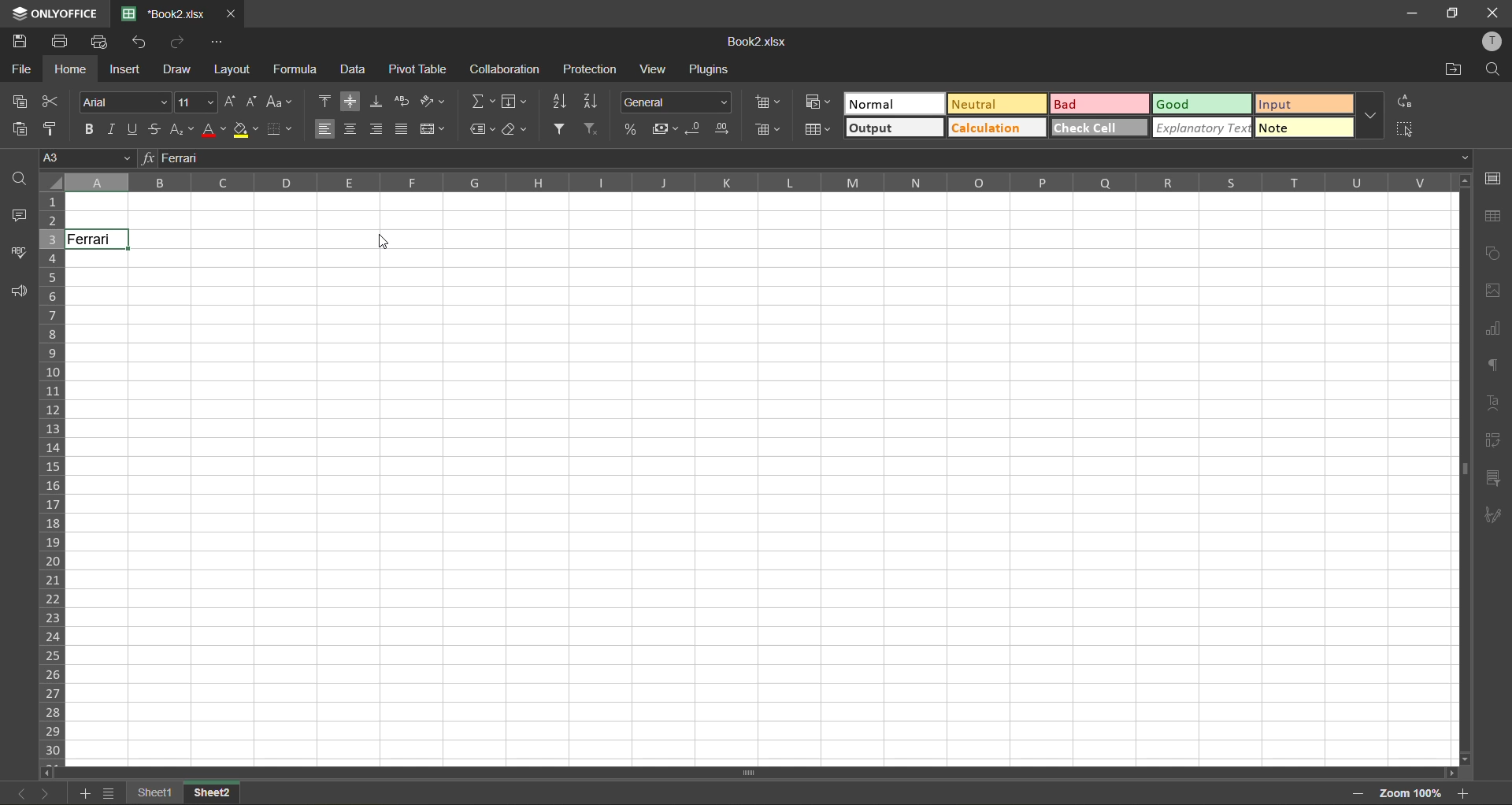 The height and width of the screenshot is (805, 1512). I want to click on fill color, so click(246, 132).